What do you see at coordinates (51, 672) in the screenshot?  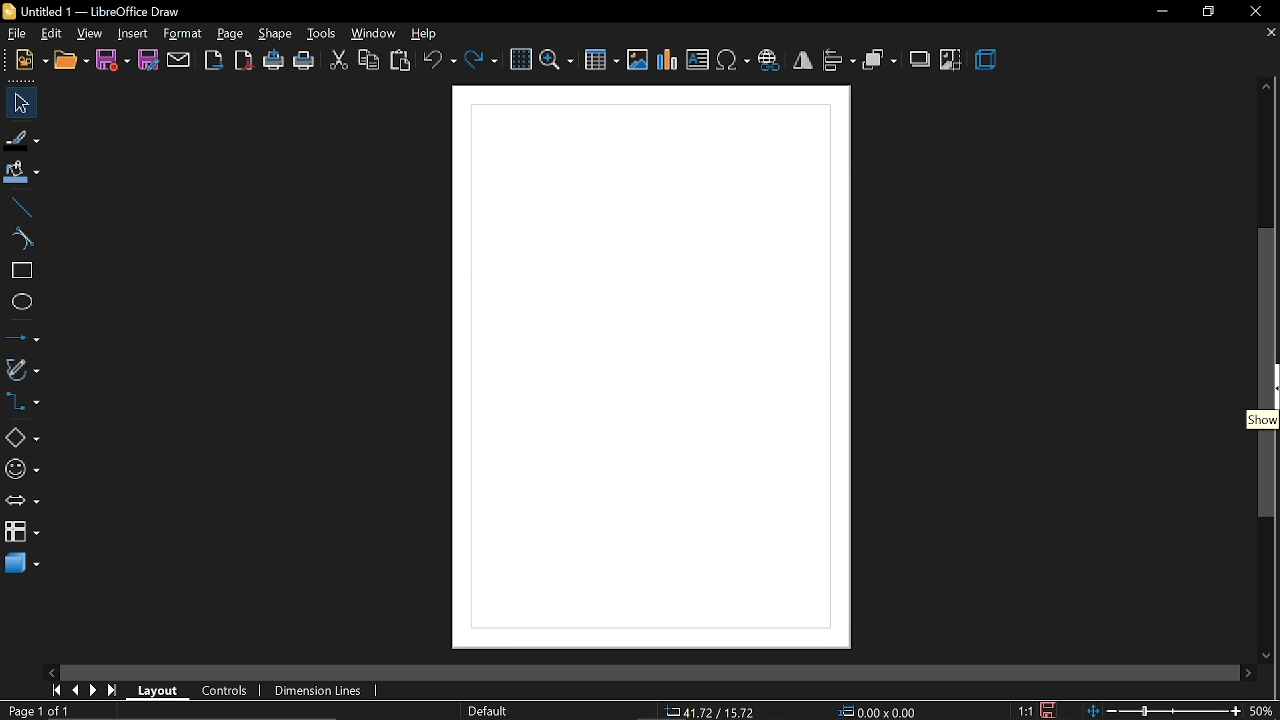 I see `move left` at bounding box center [51, 672].